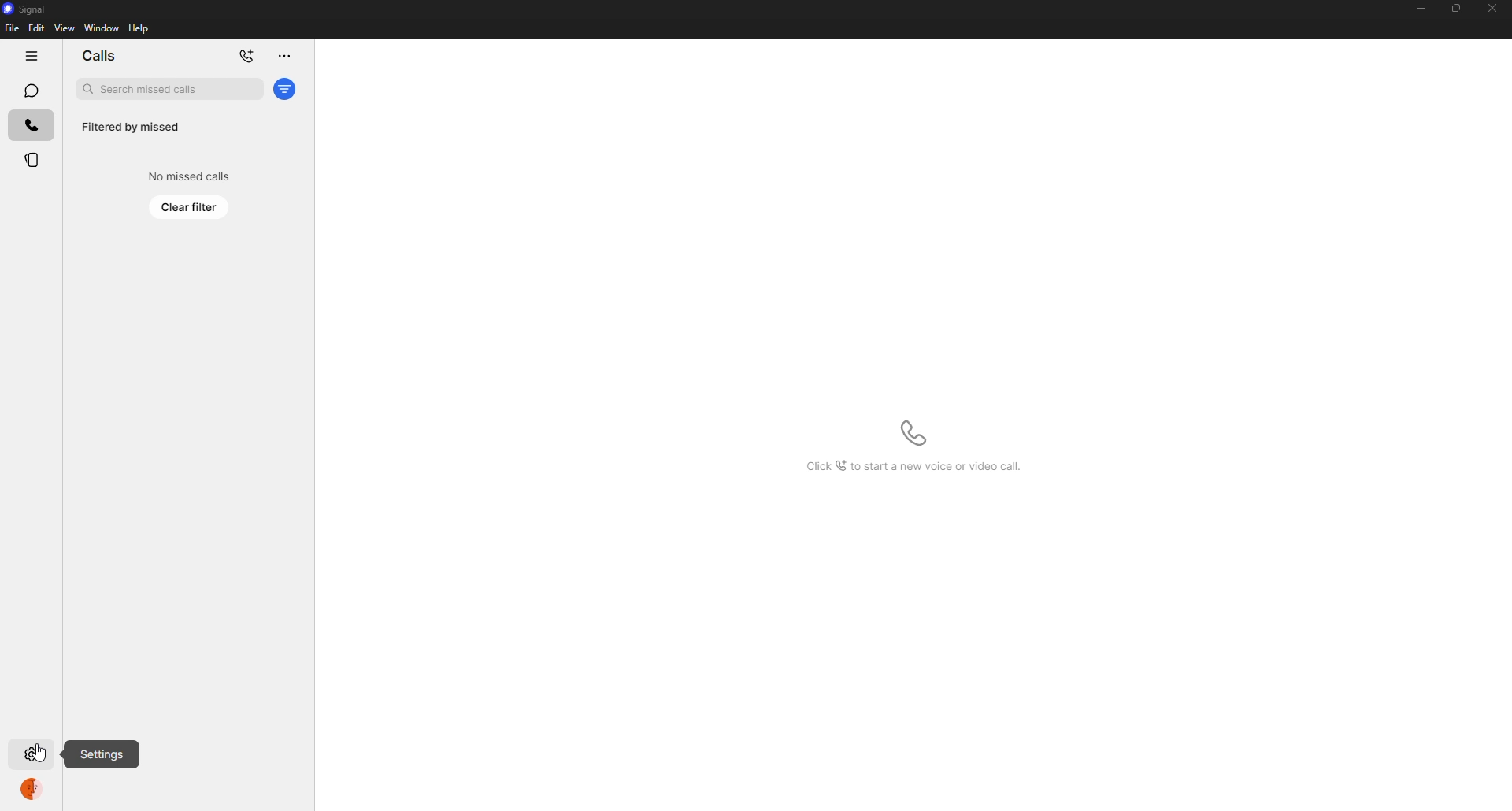 The height and width of the screenshot is (811, 1512). What do you see at coordinates (131, 128) in the screenshot?
I see `filtered by missed` at bounding box center [131, 128].